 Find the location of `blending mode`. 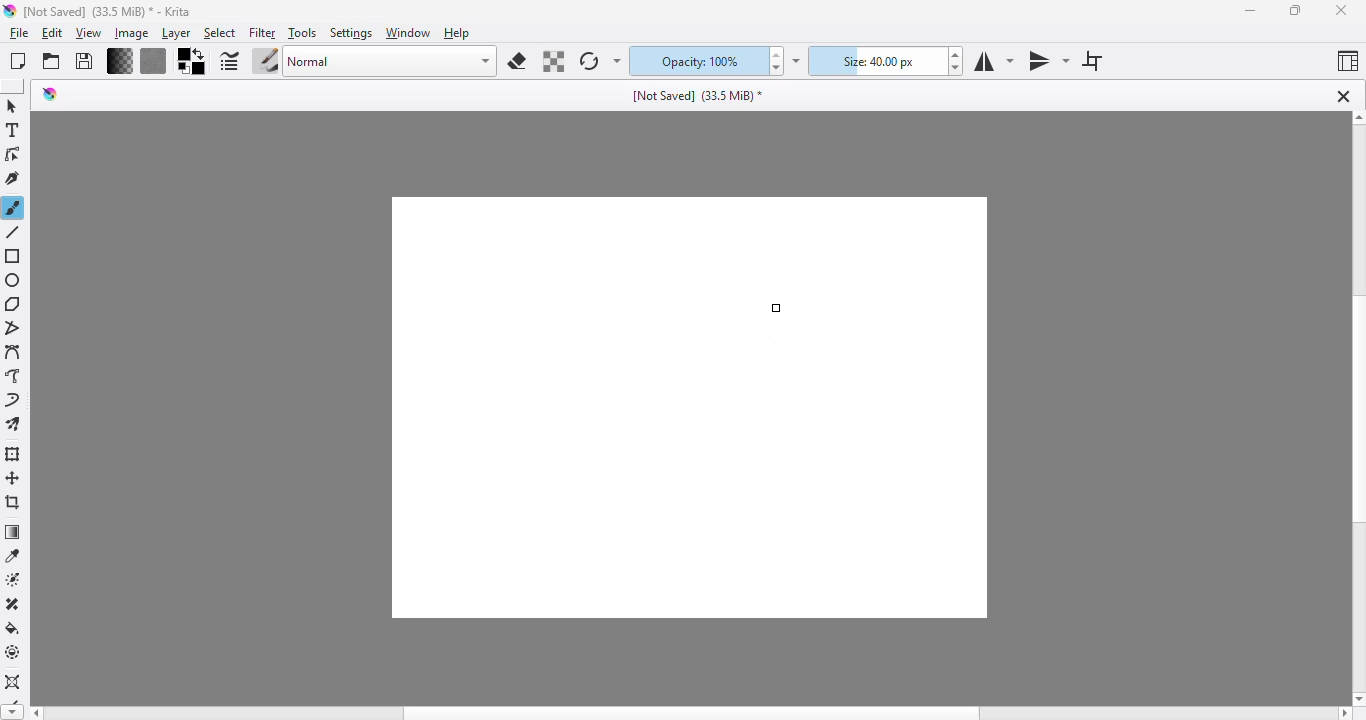

blending mode is located at coordinates (392, 62).